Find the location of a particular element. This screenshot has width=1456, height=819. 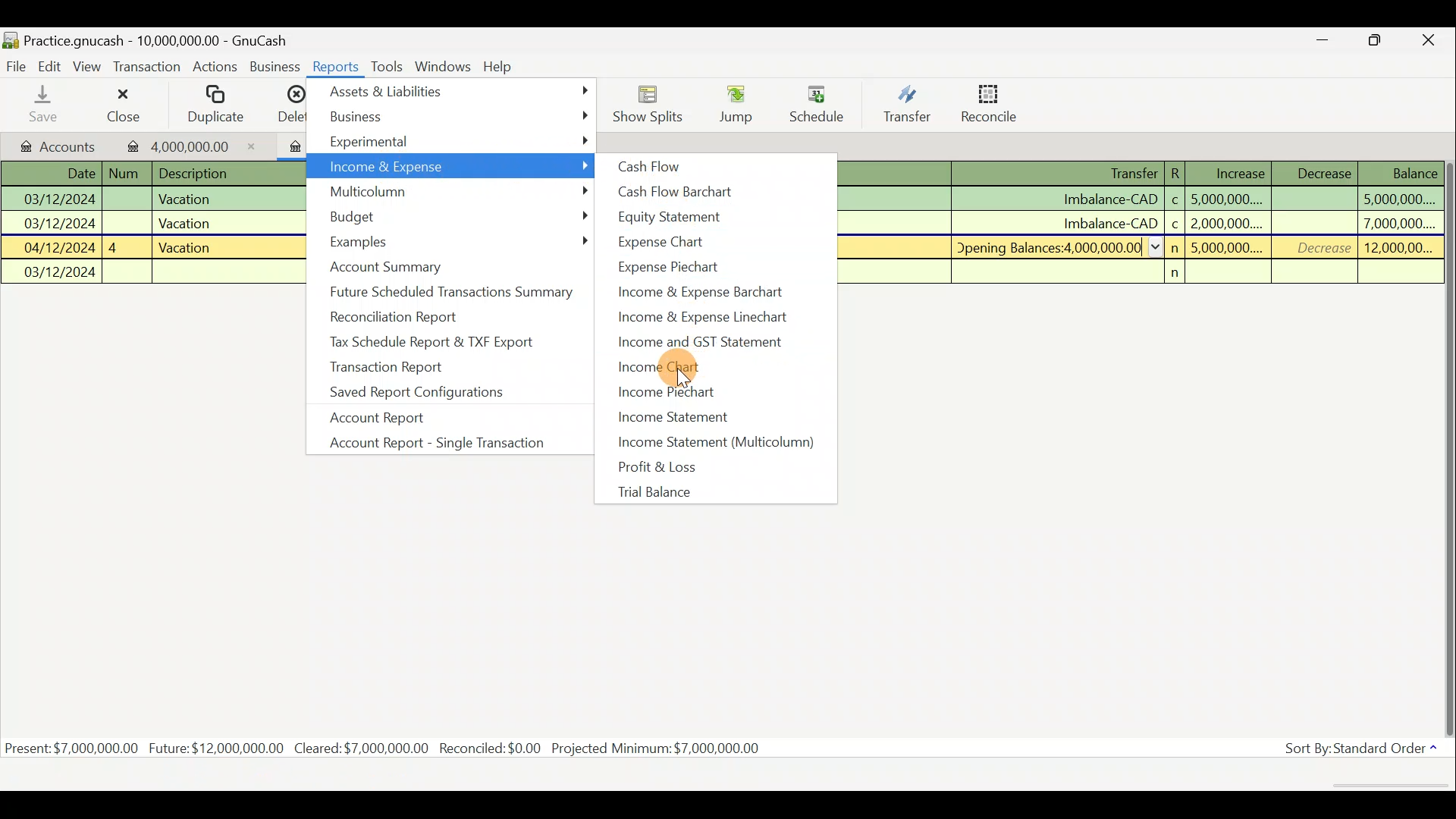

View is located at coordinates (88, 67).